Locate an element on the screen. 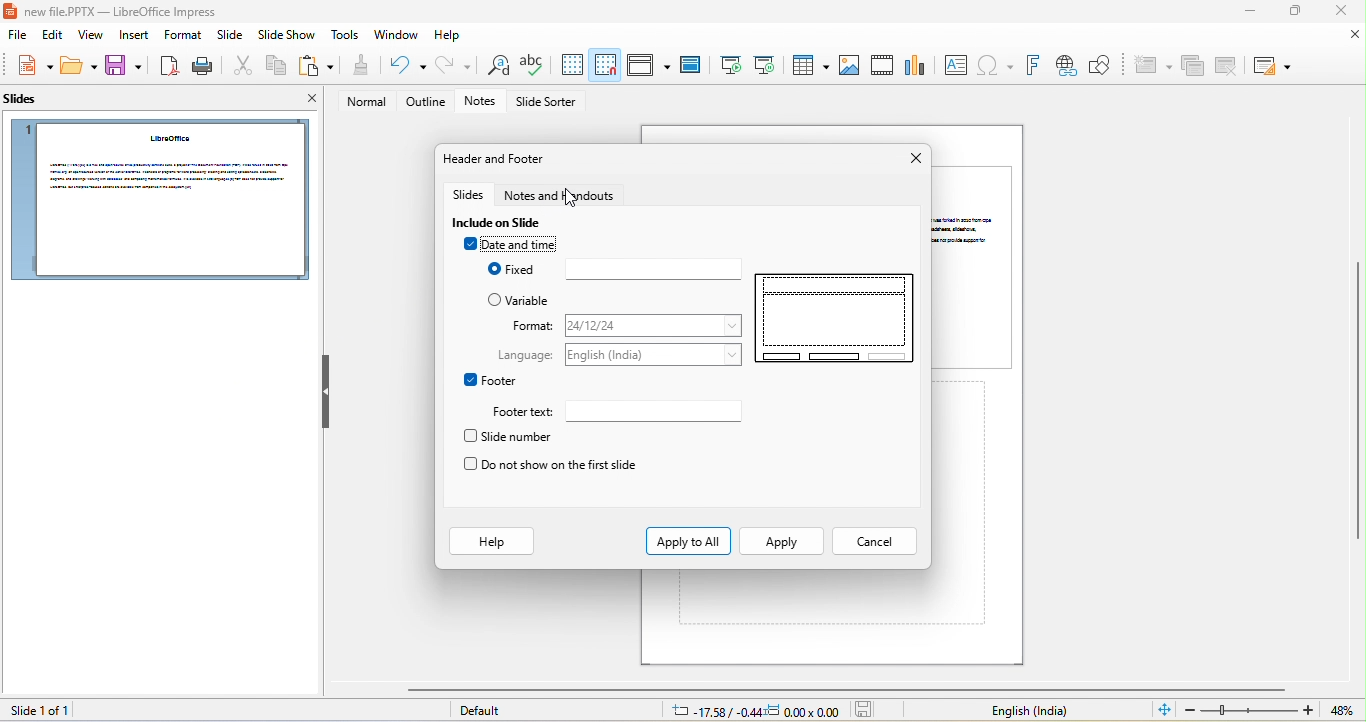  slides is located at coordinates (470, 196).